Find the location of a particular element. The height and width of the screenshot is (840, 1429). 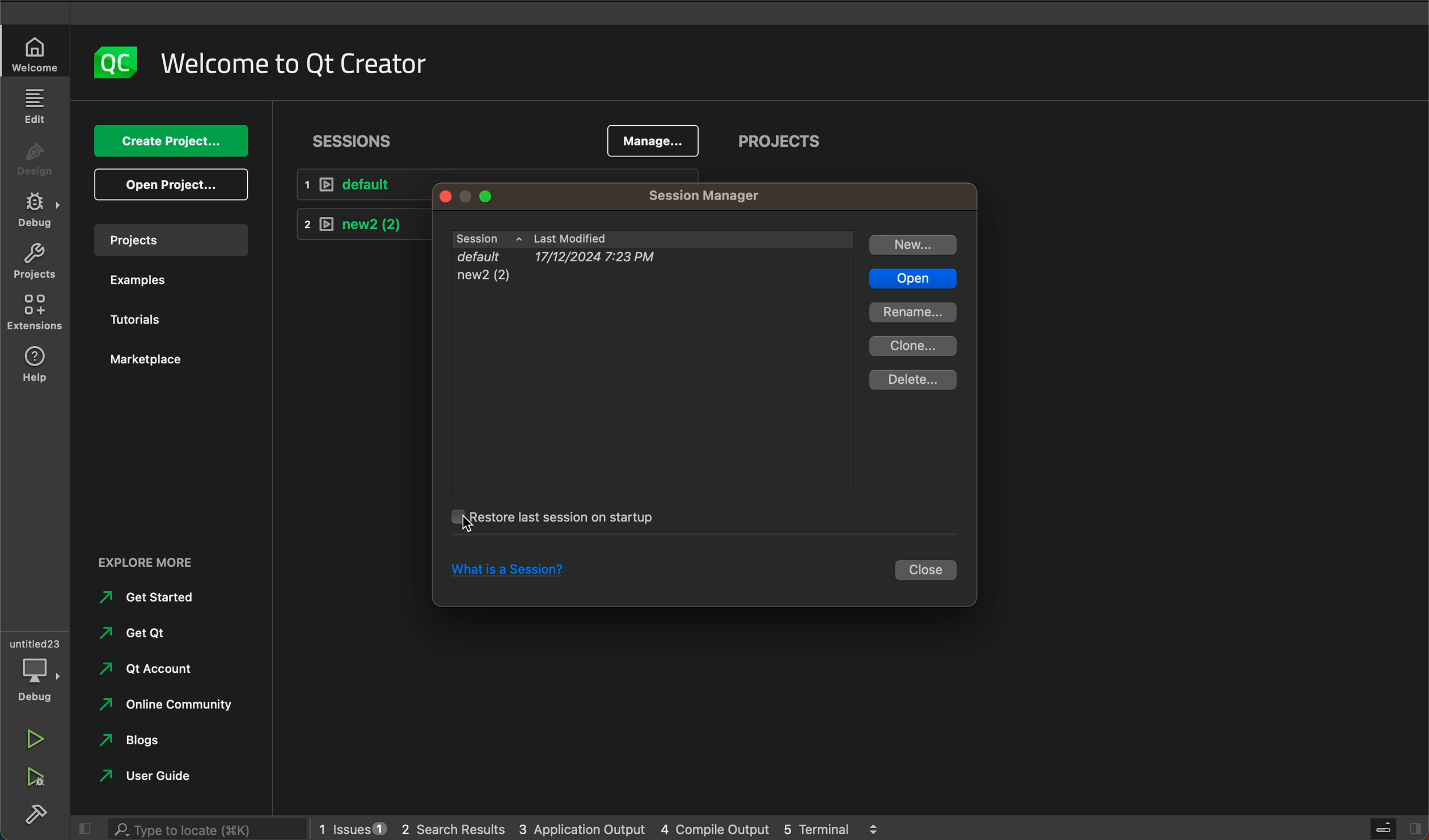

default is located at coordinates (601, 257).